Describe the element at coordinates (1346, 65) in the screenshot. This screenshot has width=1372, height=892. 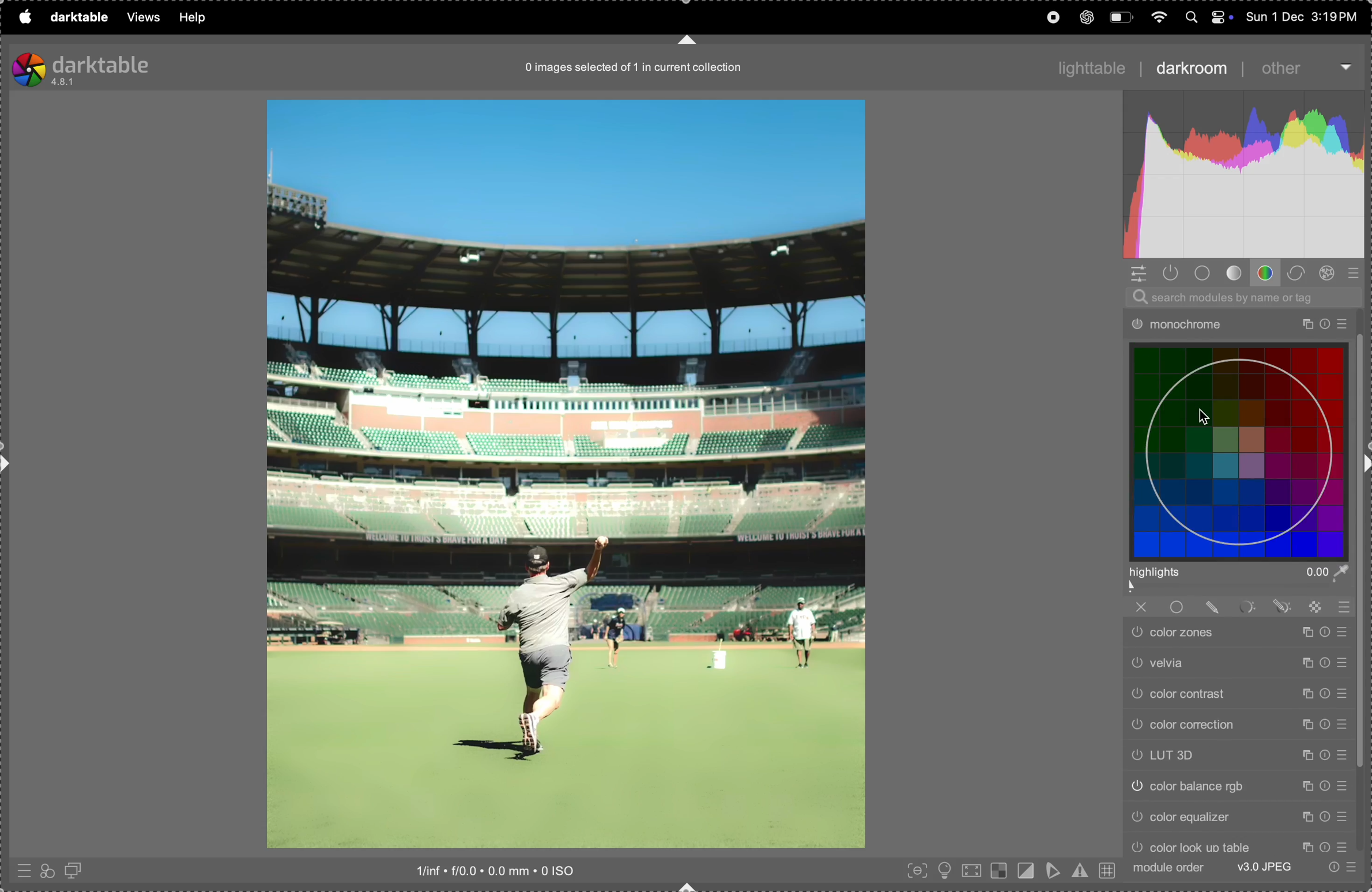
I see `options` at that location.